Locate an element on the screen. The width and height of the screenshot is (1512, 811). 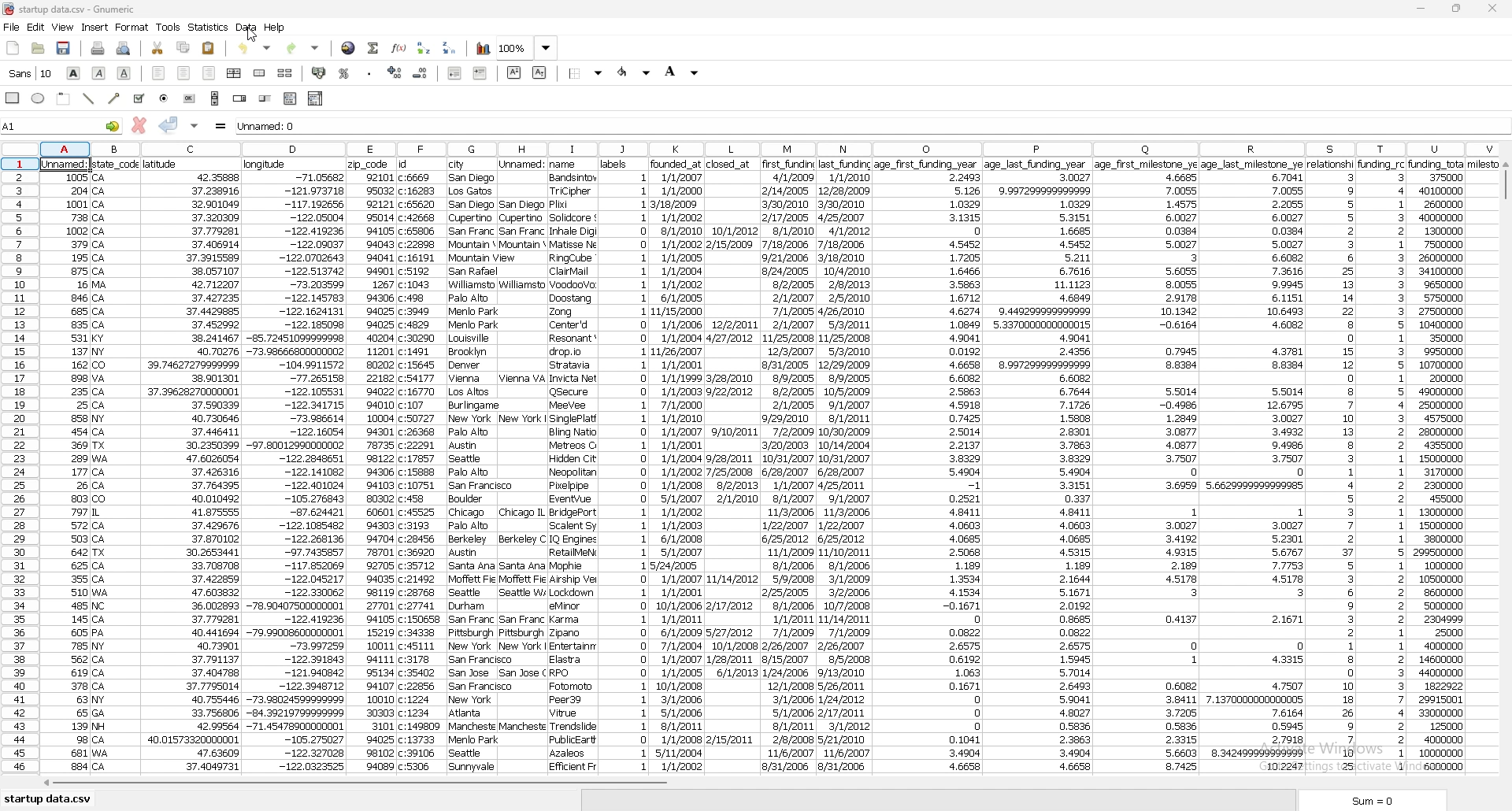
frame is located at coordinates (65, 98).